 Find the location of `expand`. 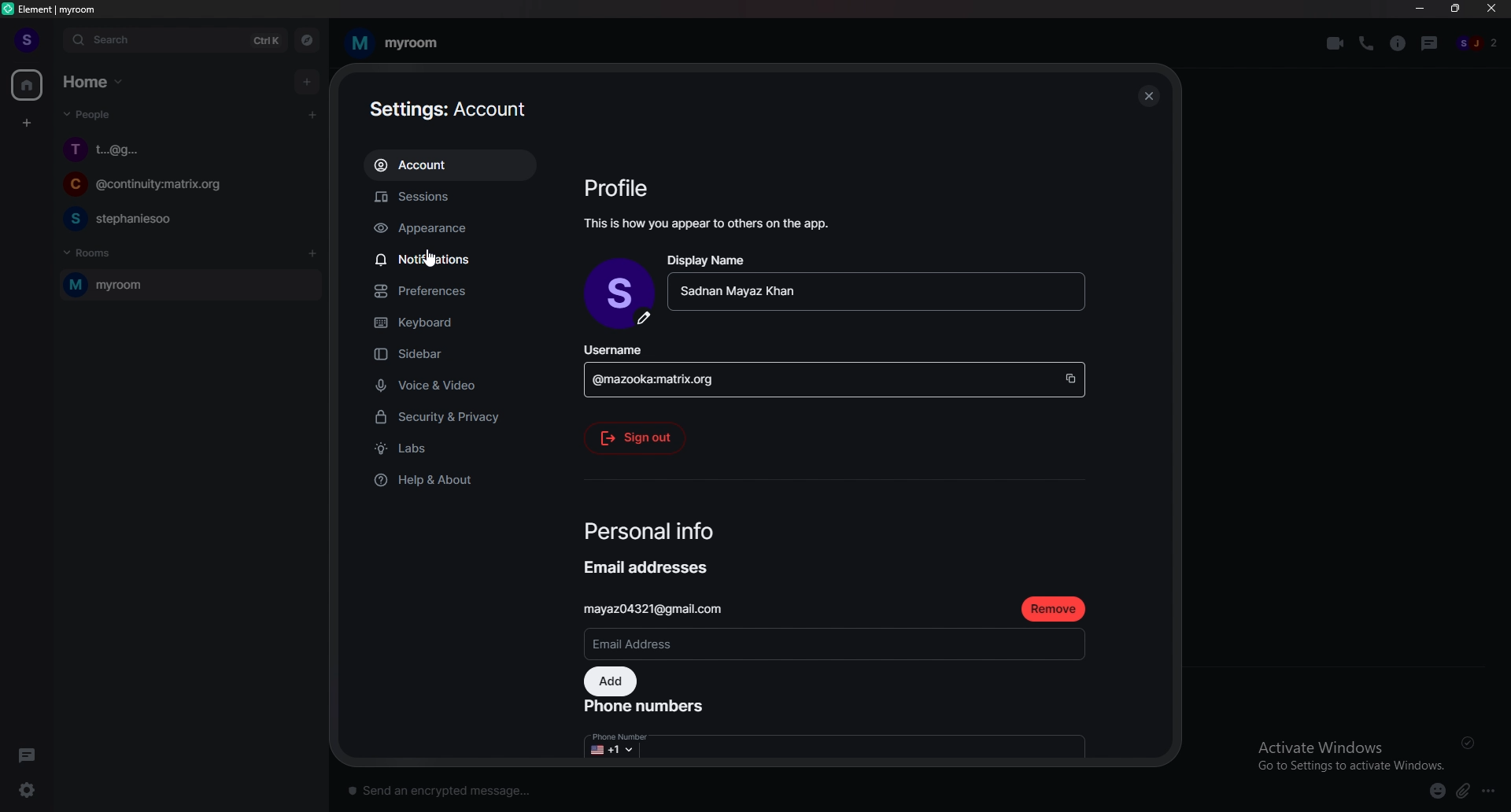

expand is located at coordinates (53, 40).